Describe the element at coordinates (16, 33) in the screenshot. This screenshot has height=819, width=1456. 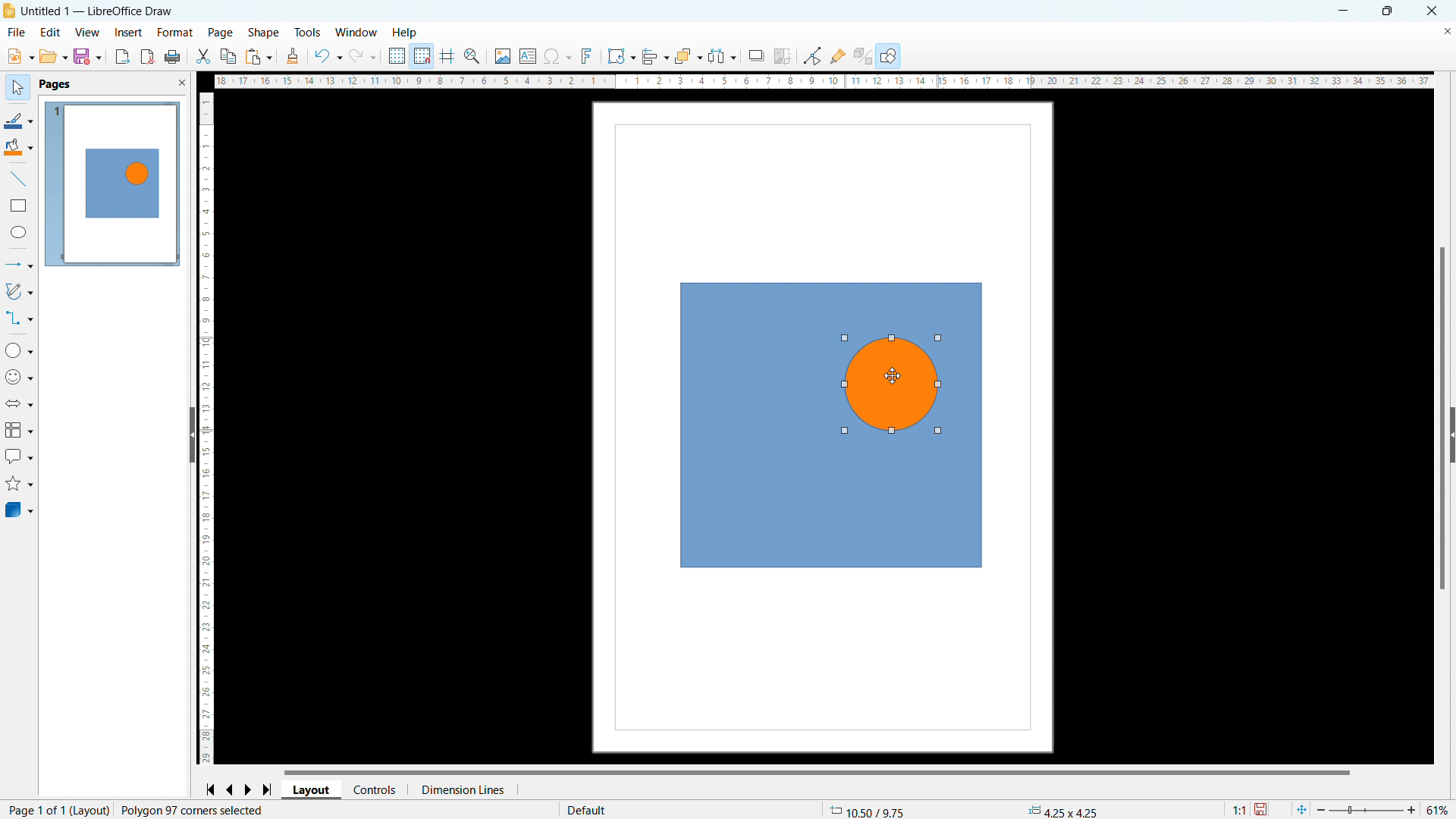
I see `file` at that location.